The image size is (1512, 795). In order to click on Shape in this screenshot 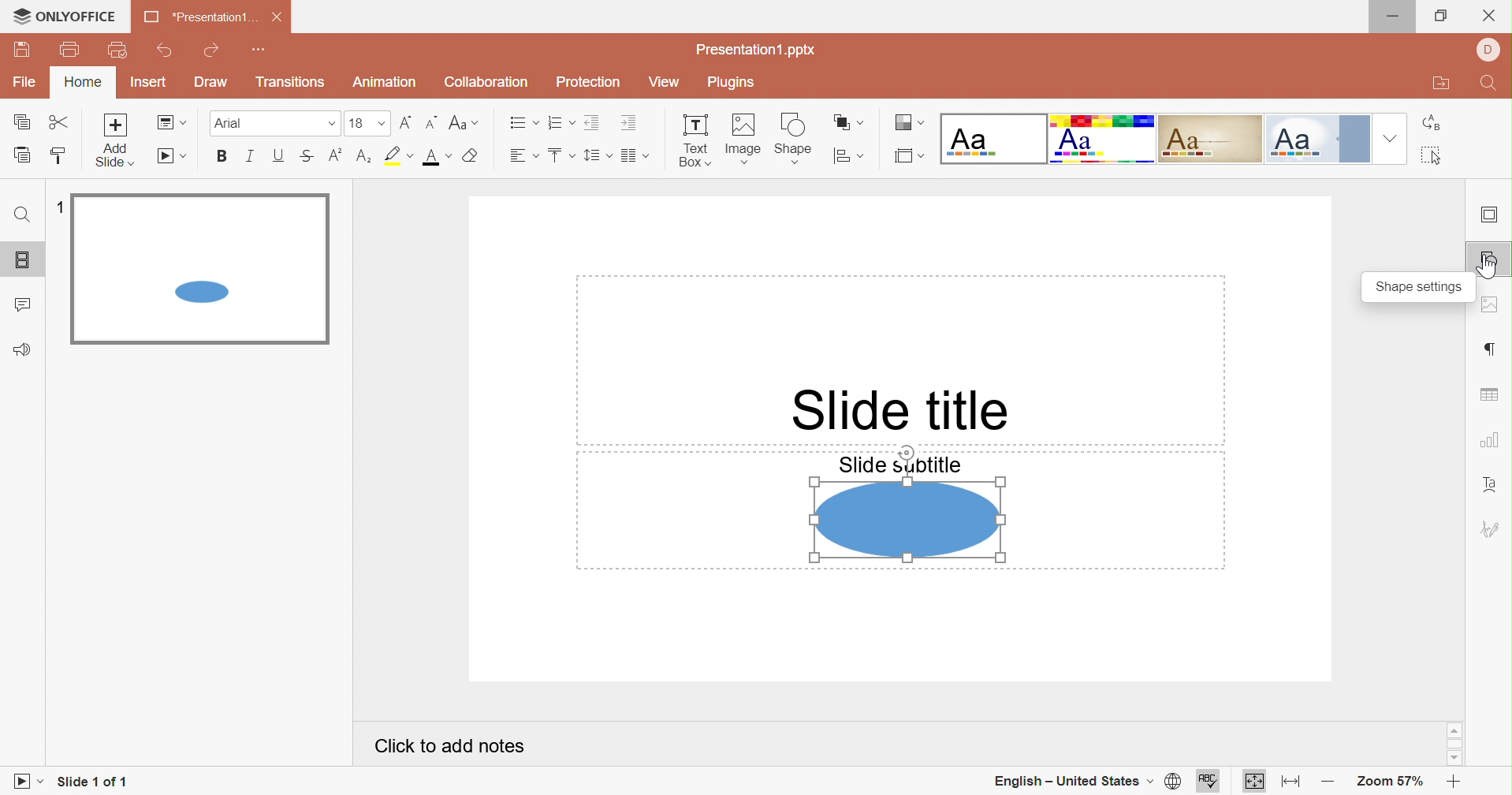, I will do `click(793, 139)`.